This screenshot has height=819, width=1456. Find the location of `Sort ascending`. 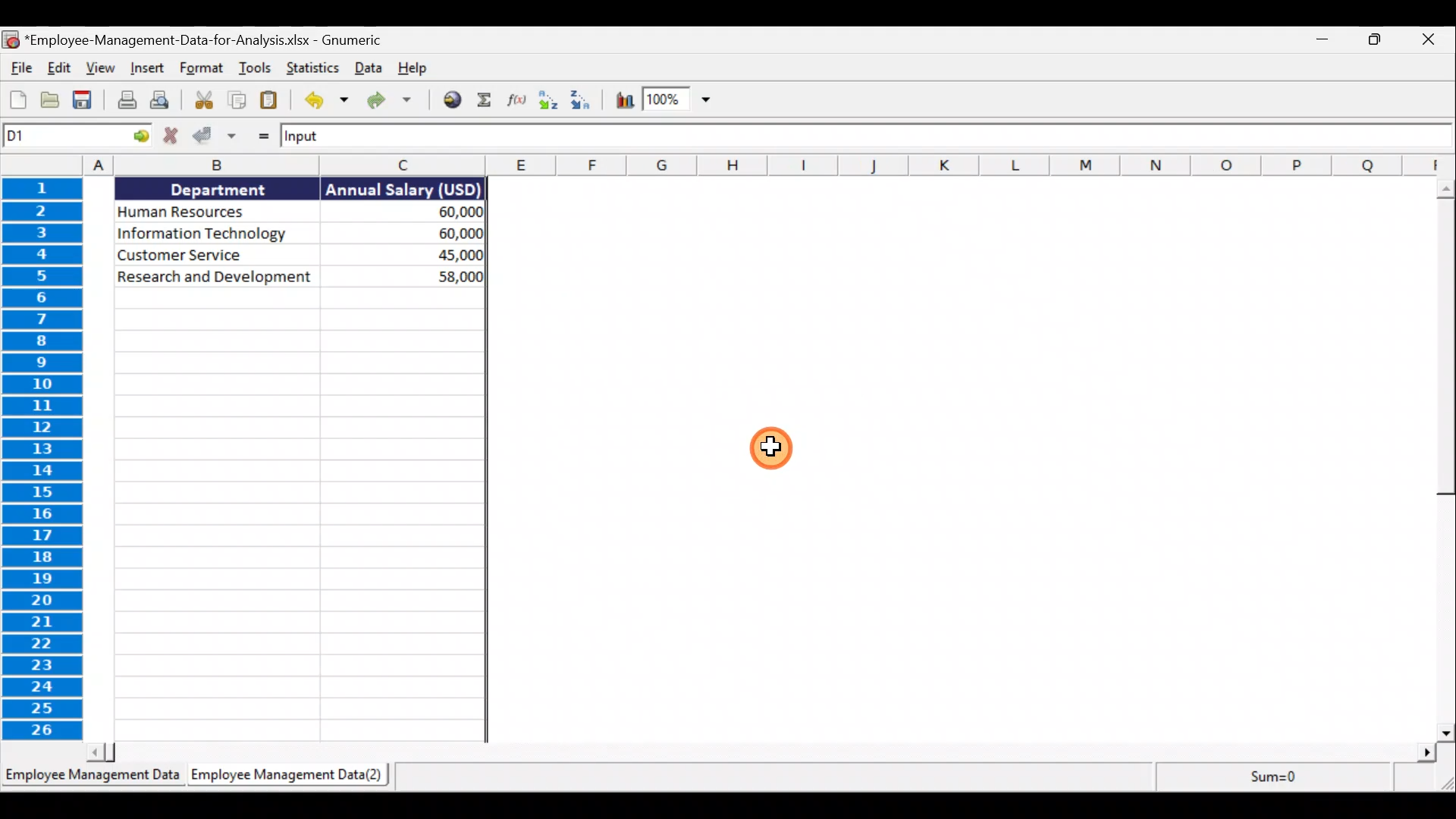

Sort ascending is located at coordinates (545, 102).